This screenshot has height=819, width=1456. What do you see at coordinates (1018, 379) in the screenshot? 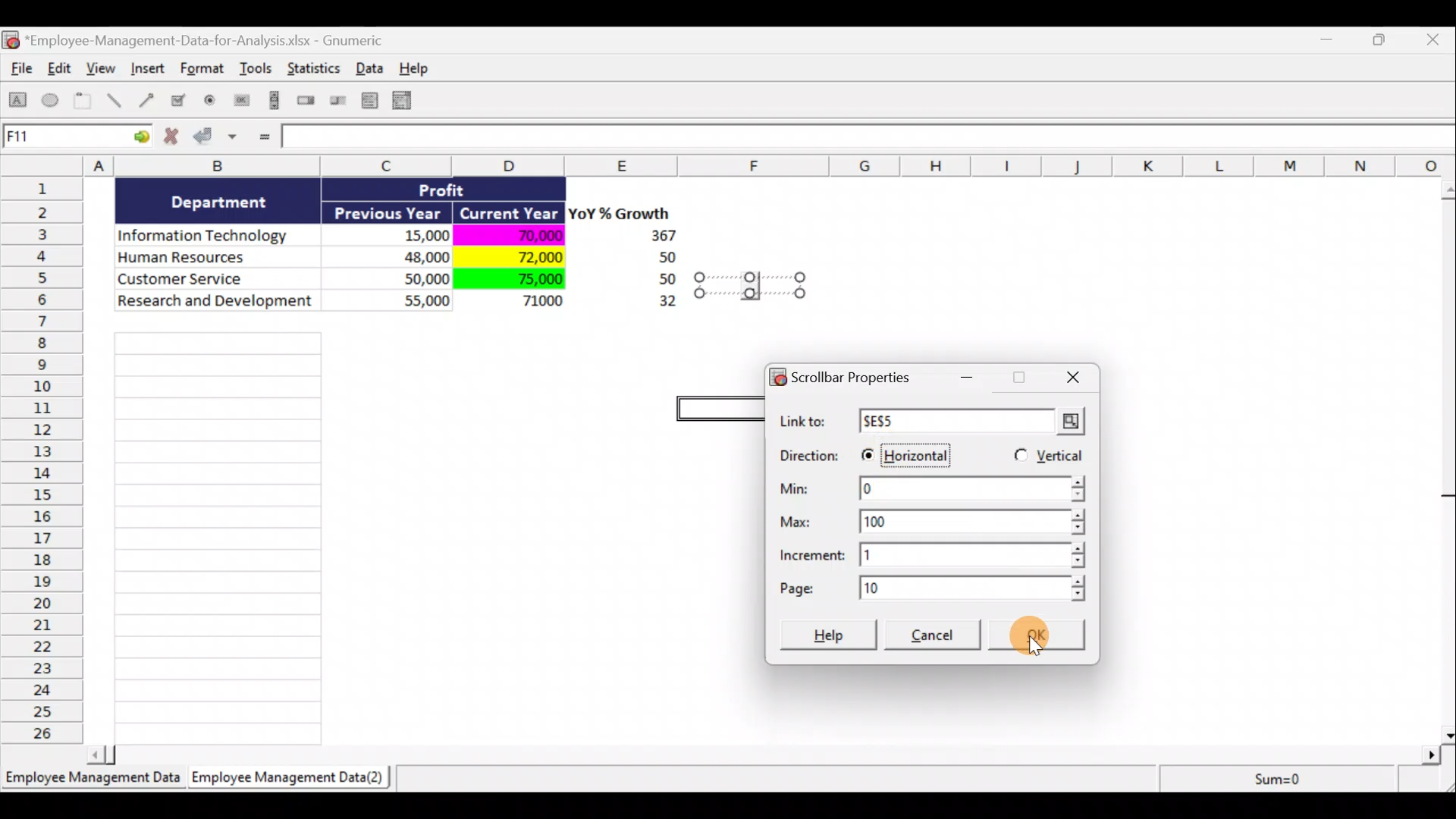
I see `Maximise` at bounding box center [1018, 379].